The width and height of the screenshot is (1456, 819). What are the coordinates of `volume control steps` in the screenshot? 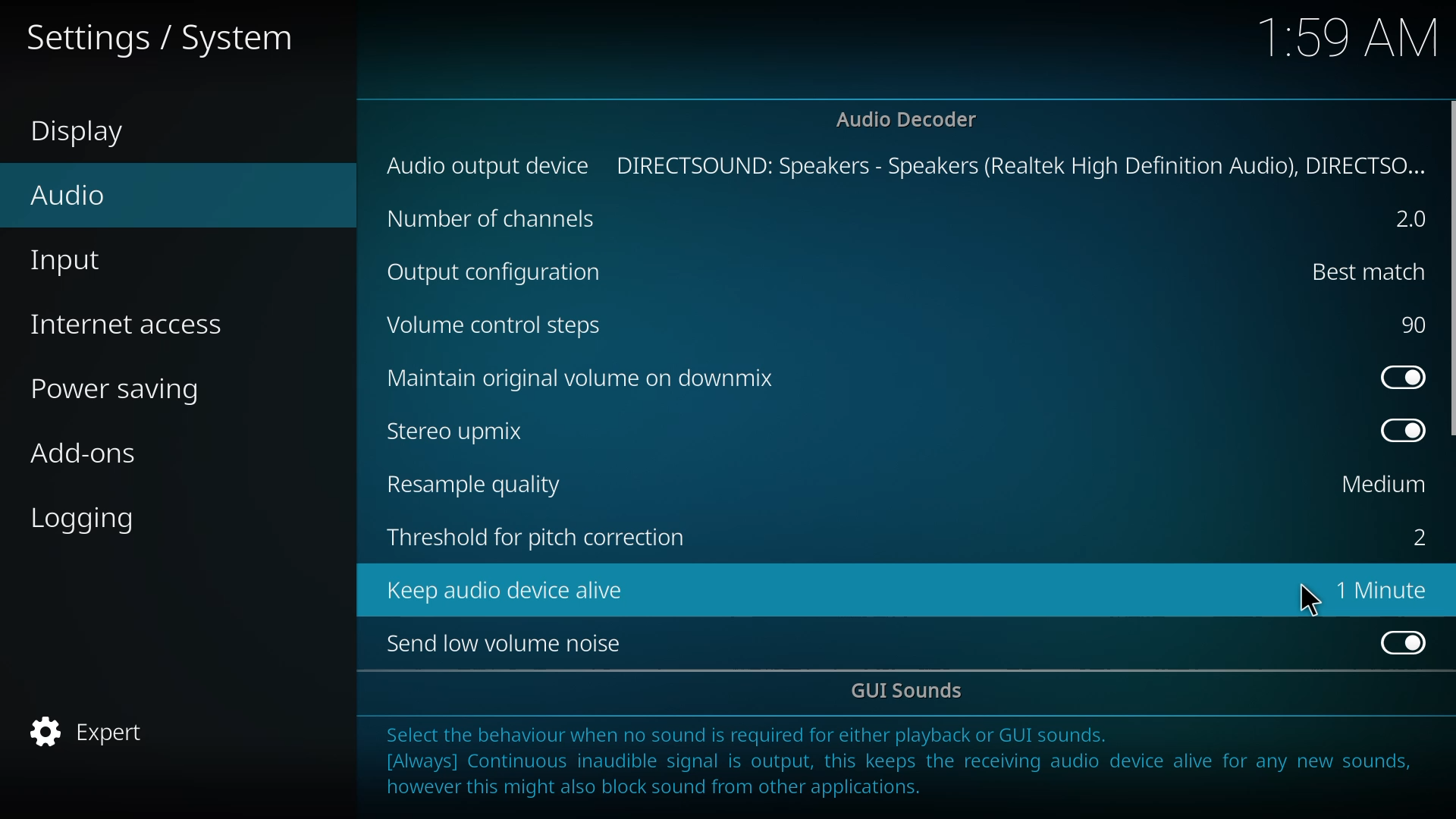 It's located at (507, 328).